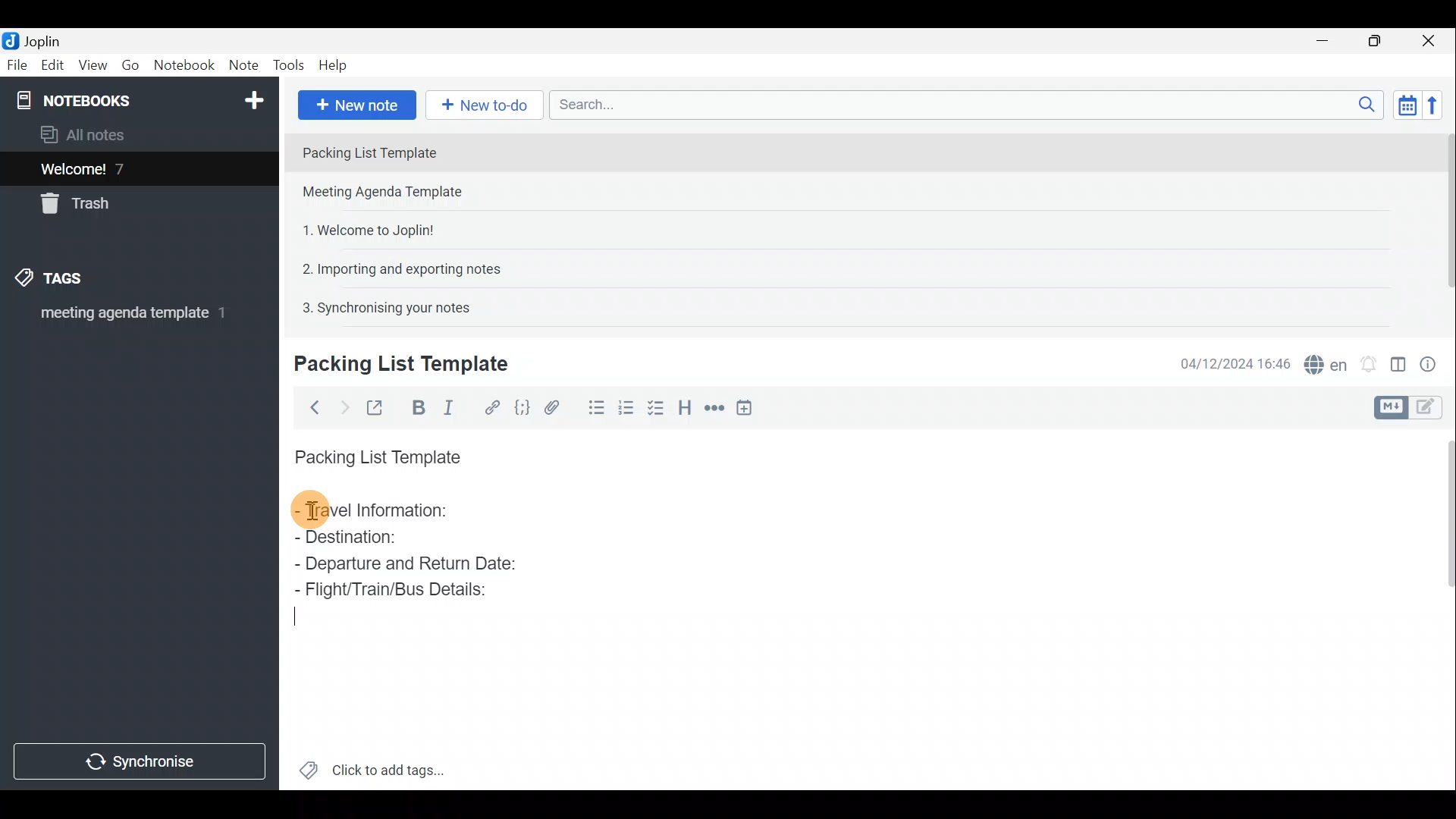 Image resolution: width=1456 pixels, height=819 pixels. Describe the element at coordinates (312, 407) in the screenshot. I see `Back` at that location.